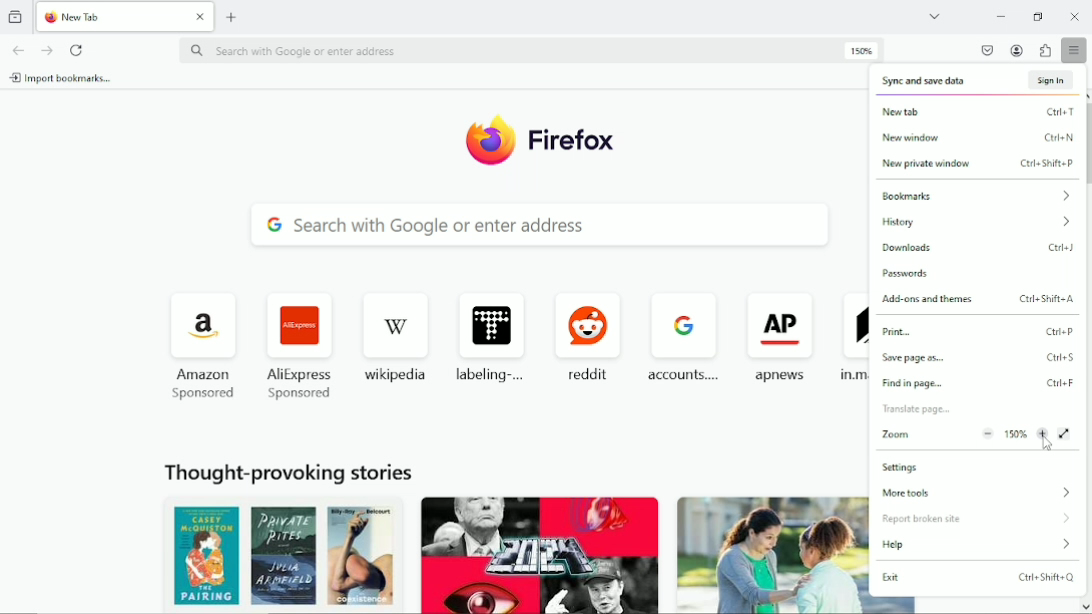 This screenshot has width=1092, height=614. I want to click on image, so click(278, 555).